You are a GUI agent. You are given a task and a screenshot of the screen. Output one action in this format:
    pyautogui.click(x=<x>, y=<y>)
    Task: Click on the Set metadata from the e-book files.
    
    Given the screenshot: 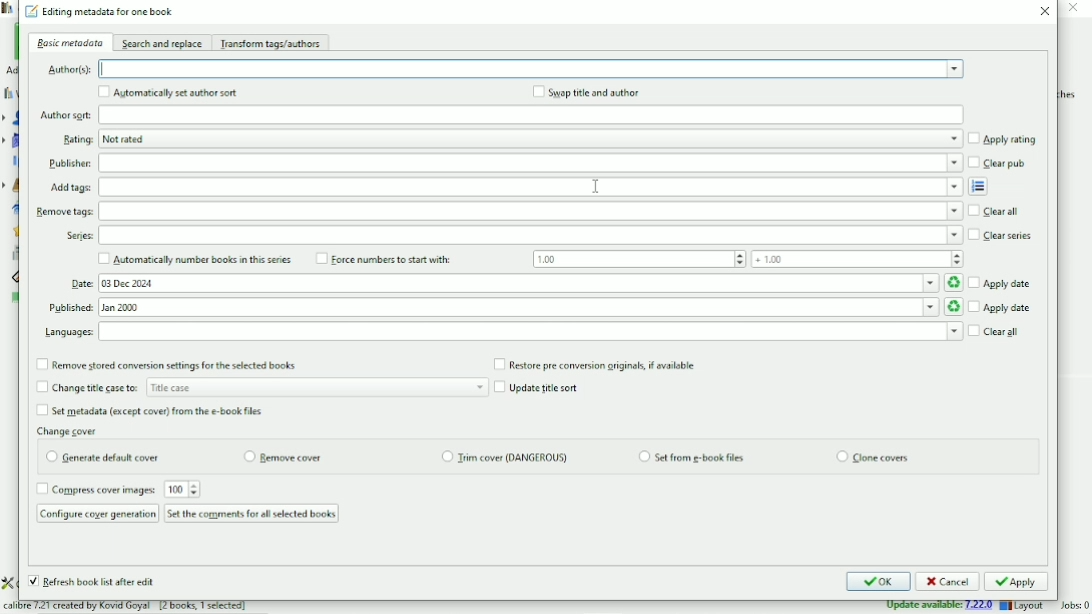 What is the action you would take?
    pyautogui.click(x=150, y=412)
    